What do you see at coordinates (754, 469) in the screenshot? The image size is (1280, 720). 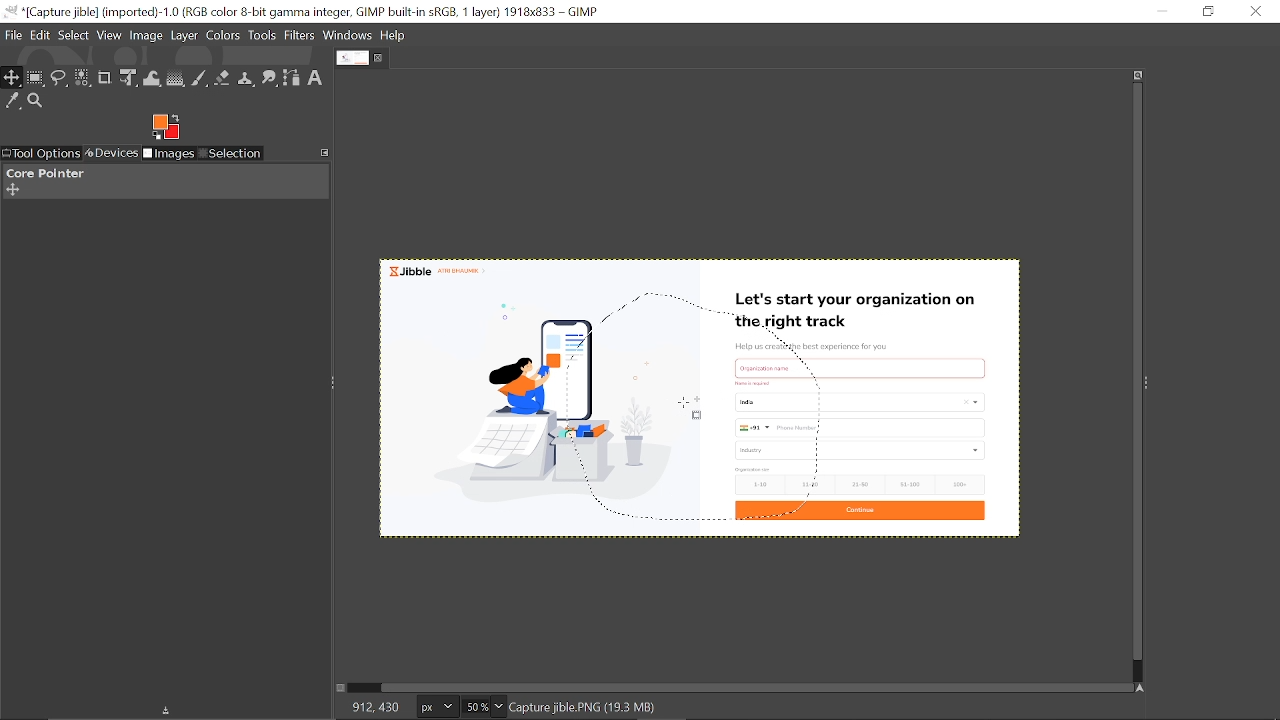 I see `size` at bounding box center [754, 469].